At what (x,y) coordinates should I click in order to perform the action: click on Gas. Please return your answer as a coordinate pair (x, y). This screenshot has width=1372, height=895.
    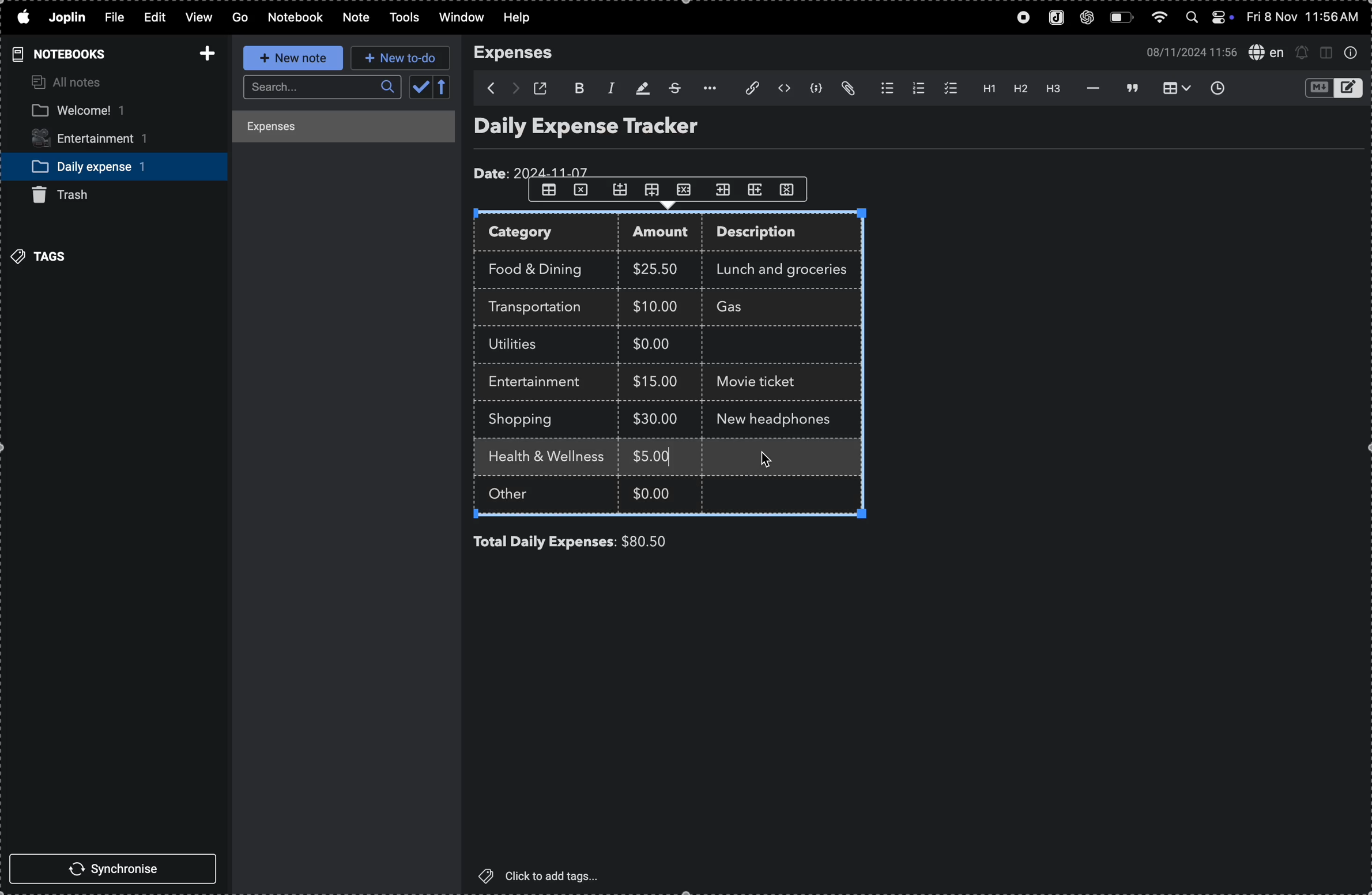
    Looking at the image, I should click on (751, 308).